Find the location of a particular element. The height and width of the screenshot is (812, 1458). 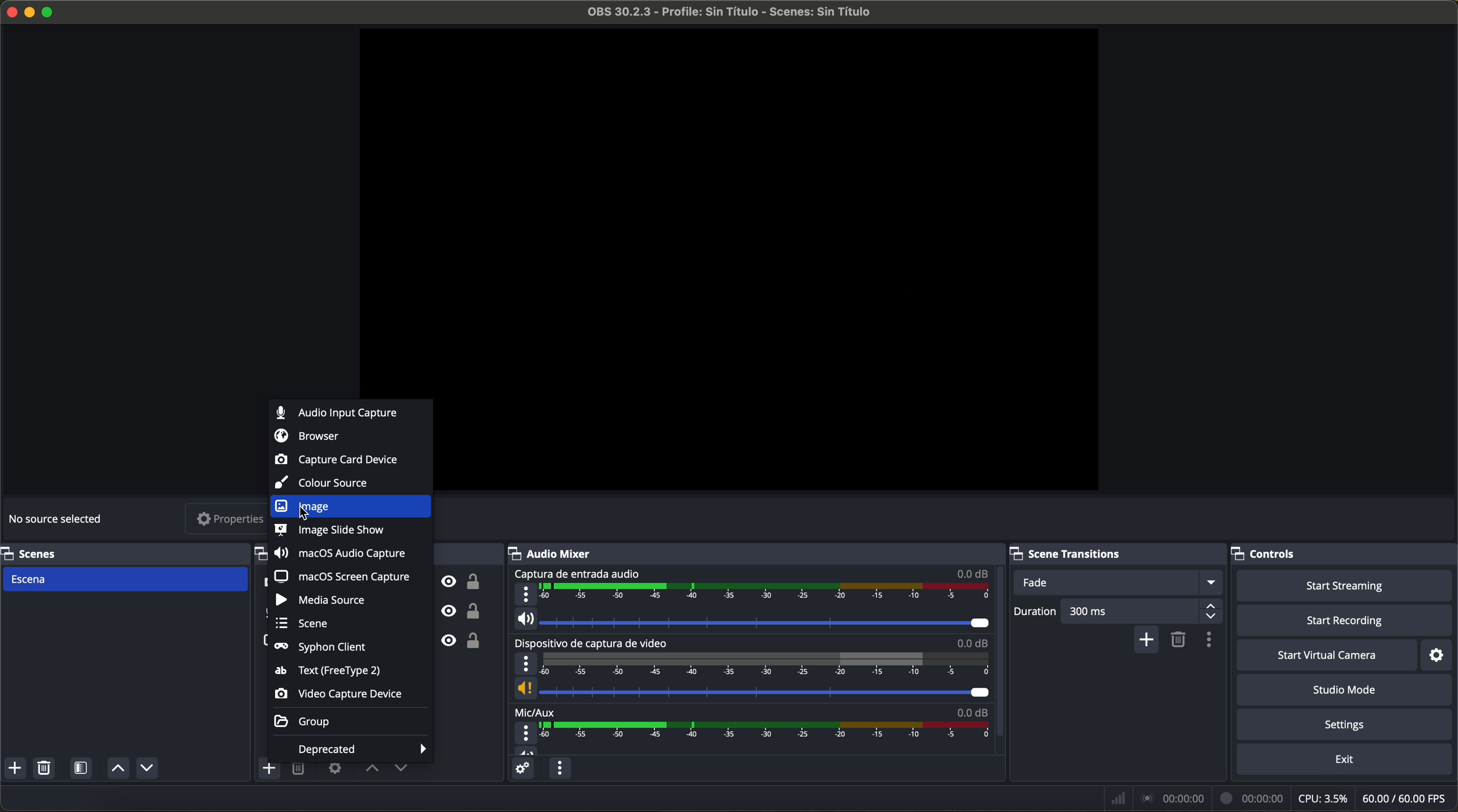

start recording is located at coordinates (1346, 621).